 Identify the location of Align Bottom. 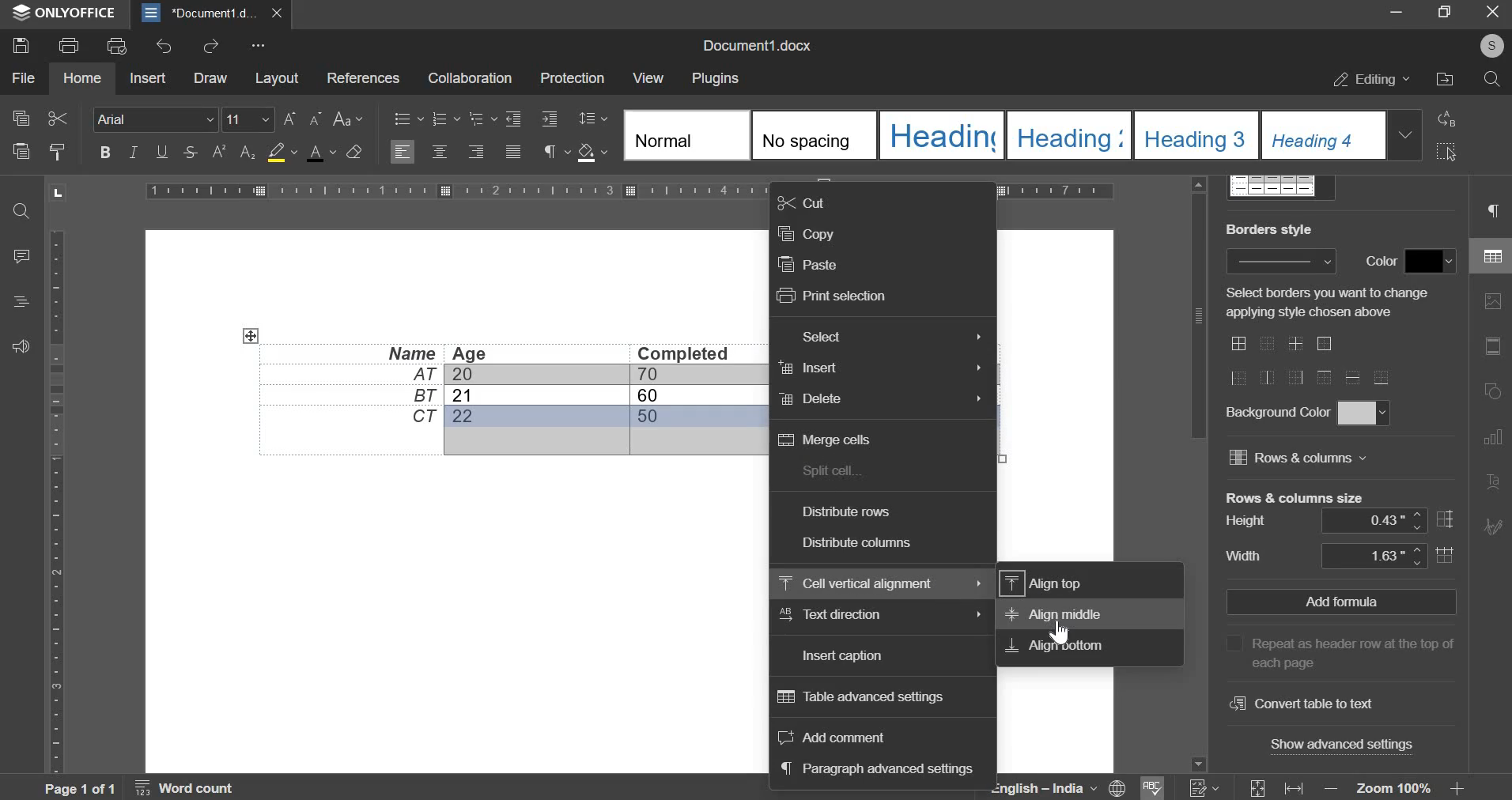
(1083, 650).